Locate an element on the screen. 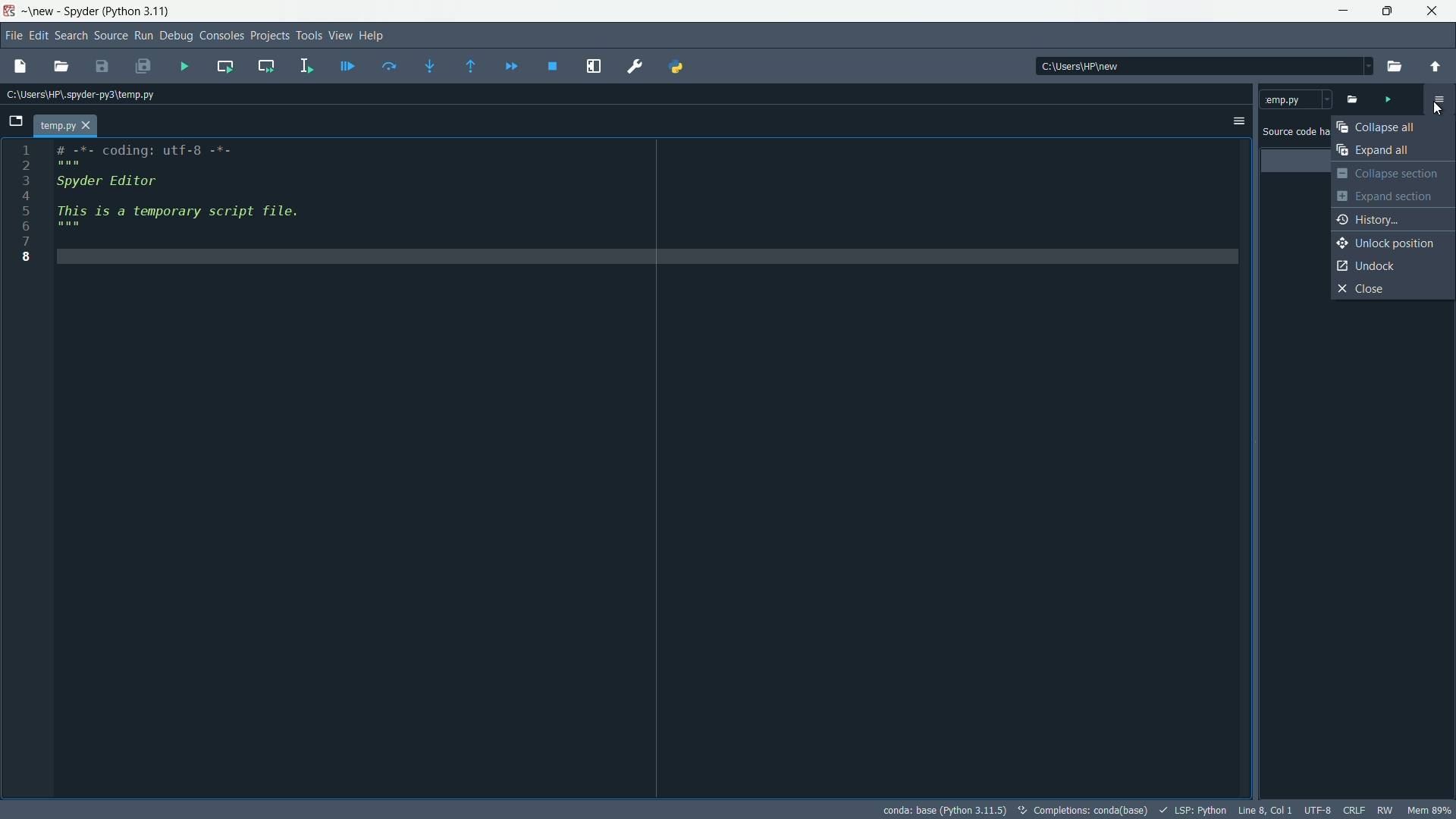 The width and height of the screenshot is (1456, 819). Source code has not been rated yet. is located at coordinates (1294, 132).